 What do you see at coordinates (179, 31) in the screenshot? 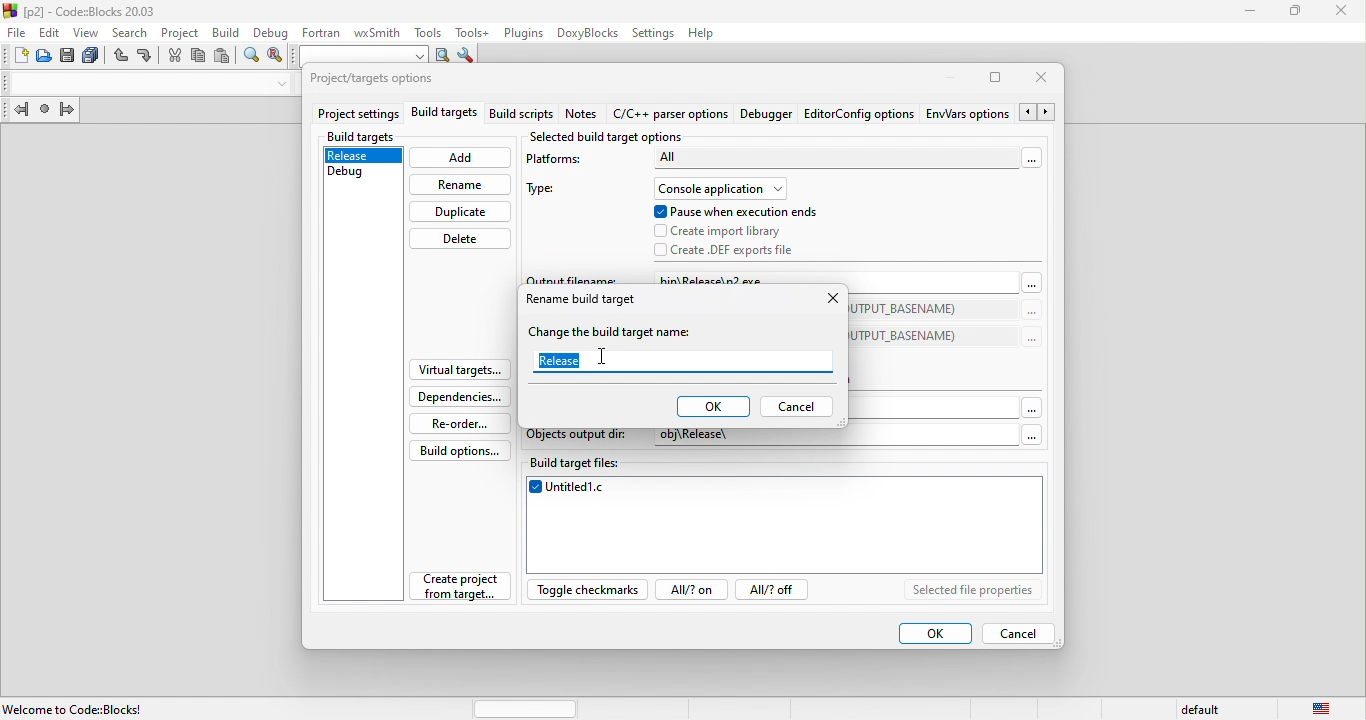
I see `project` at bounding box center [179, 31].